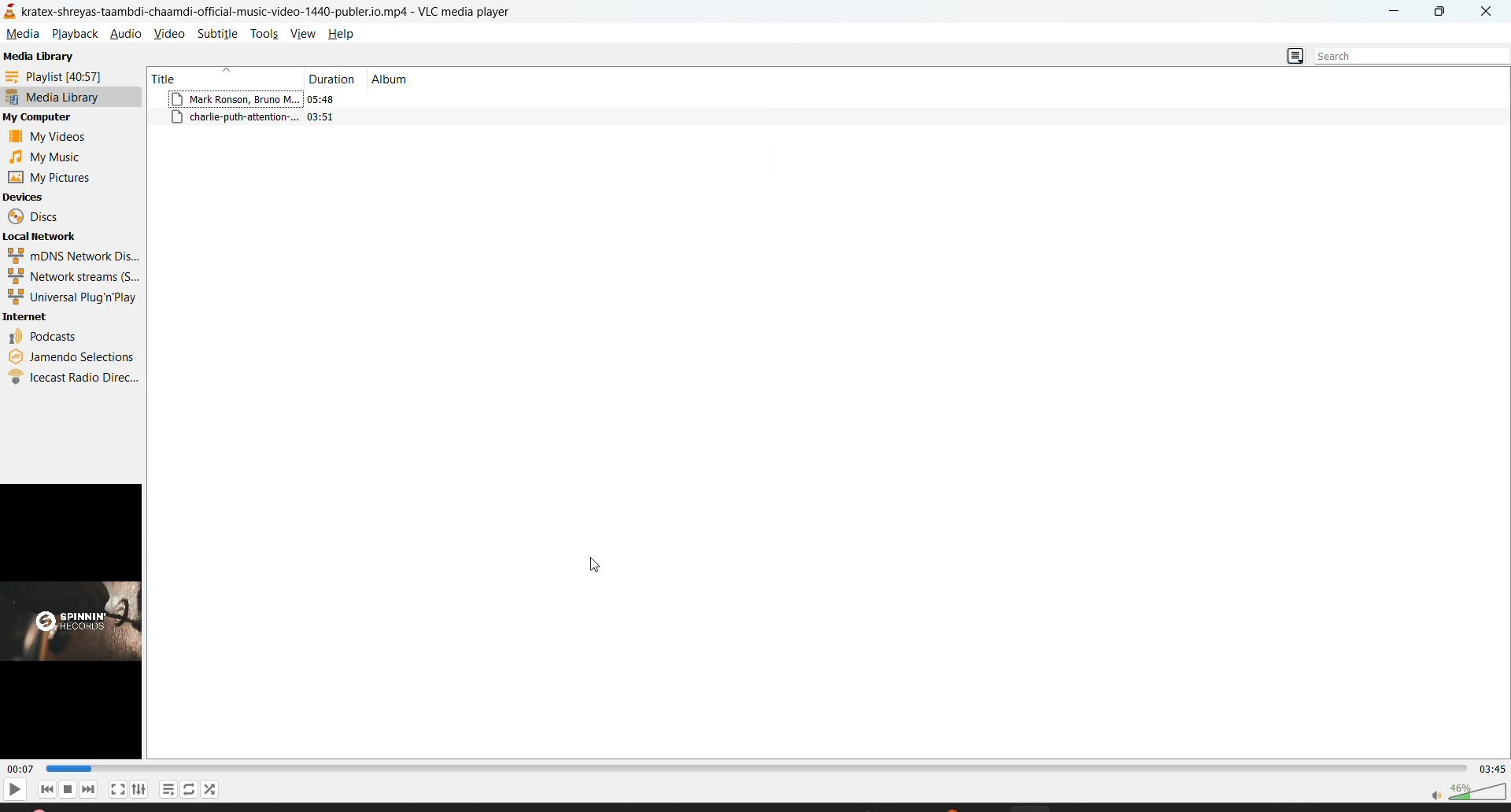  What do you see at coordinates (44, 119) in the screenshot?
I see `my computer` at bounding box center [44, 119].